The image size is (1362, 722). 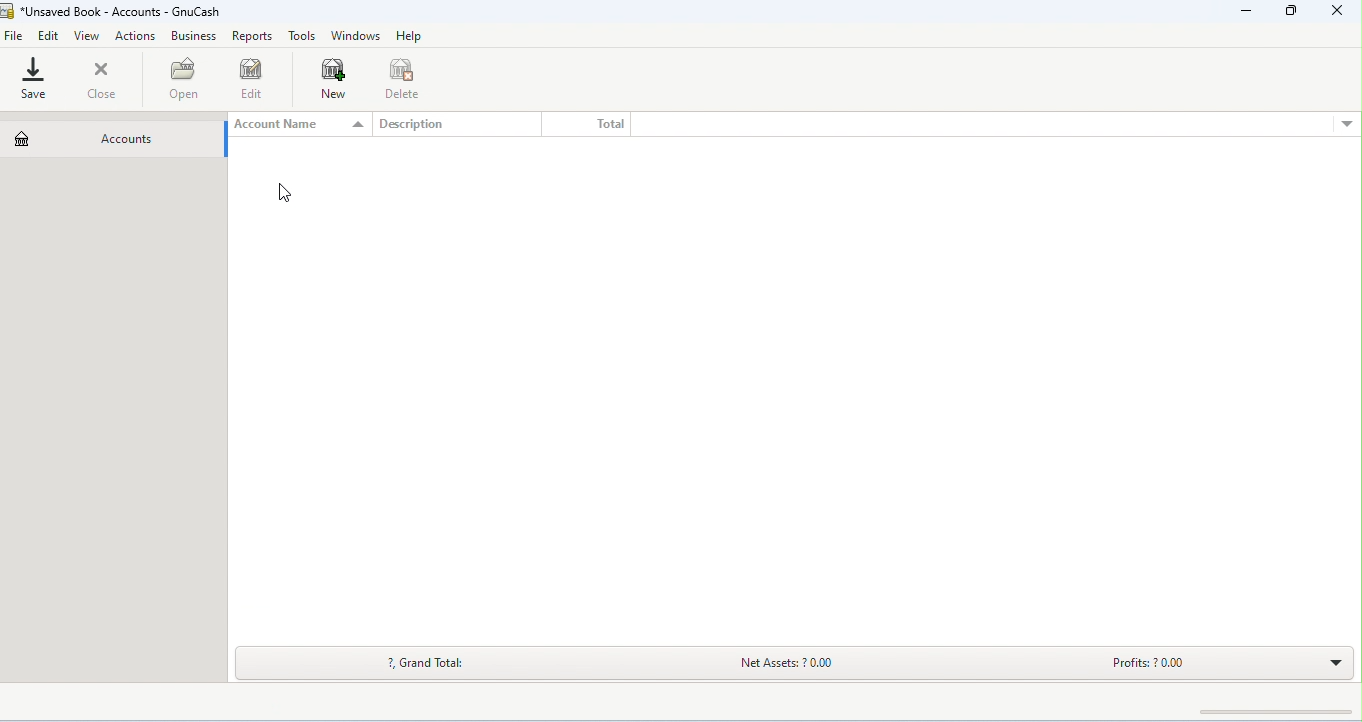 I want to click on business, so click(x=195, y=35).